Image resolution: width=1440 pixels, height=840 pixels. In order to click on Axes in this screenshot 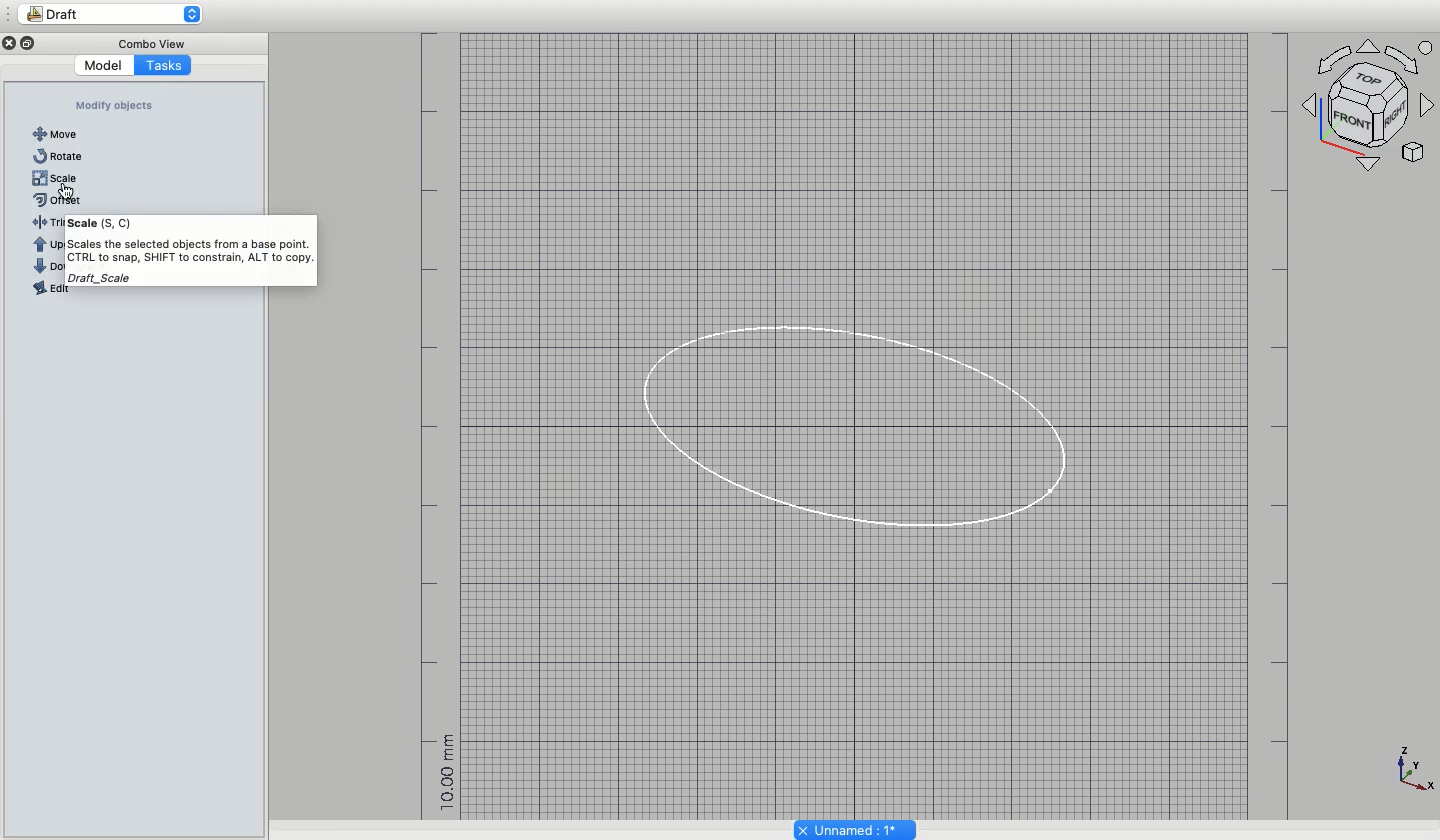, I will do `click(1371, 103)`.